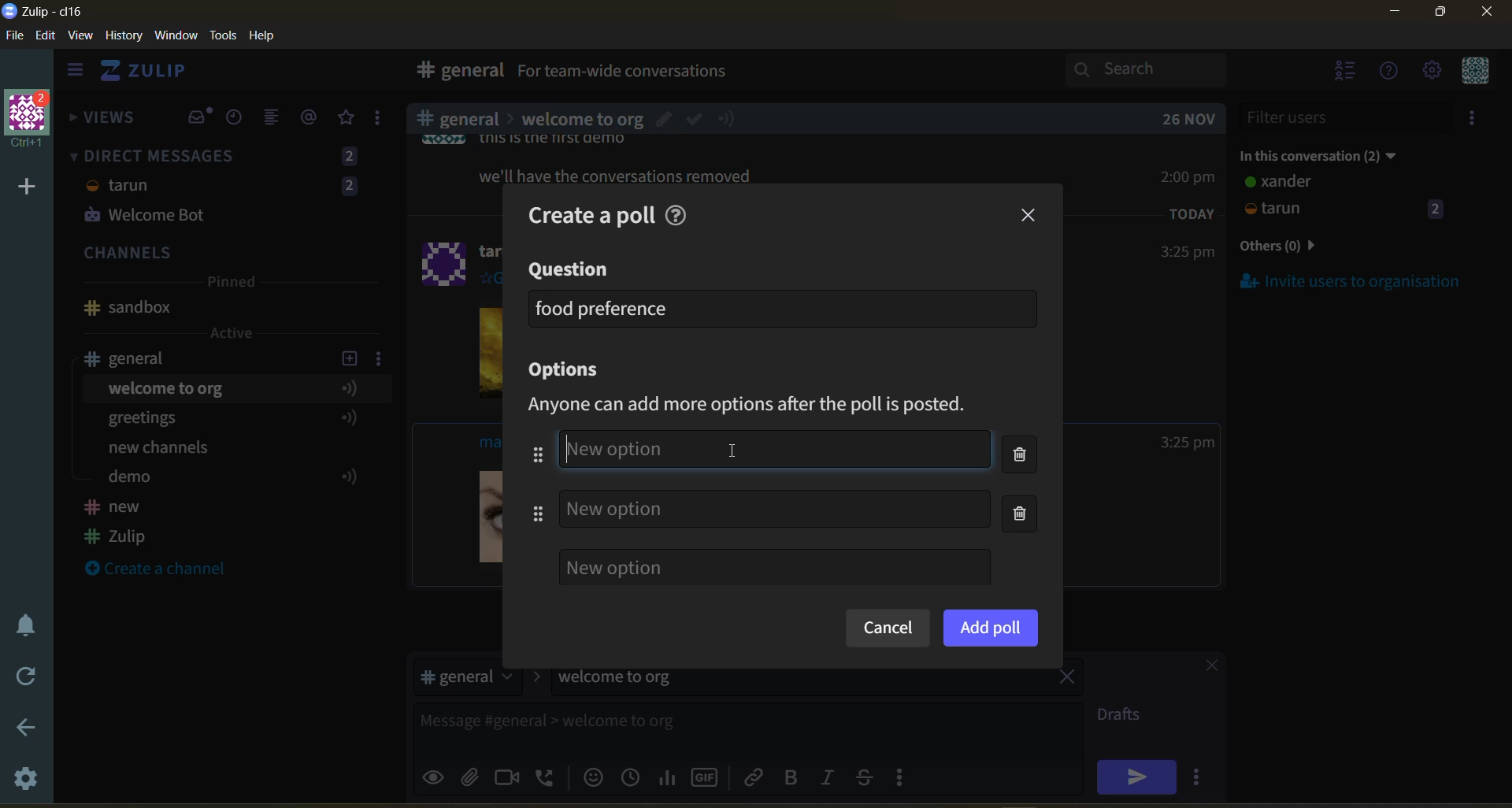 The image size is (1512, 808). I want to click on new option, so click(775, 508).